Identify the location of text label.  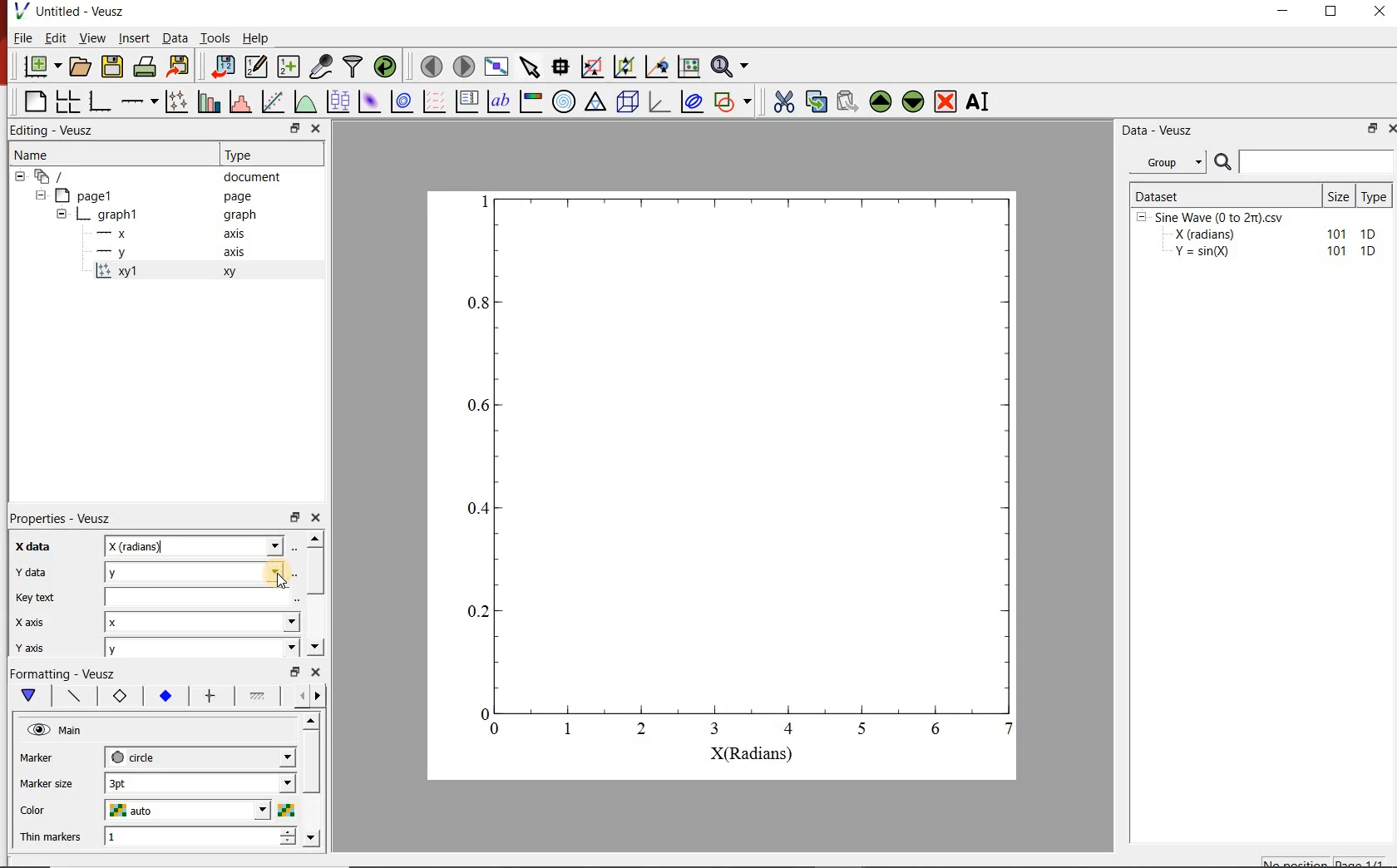
(499, 101).